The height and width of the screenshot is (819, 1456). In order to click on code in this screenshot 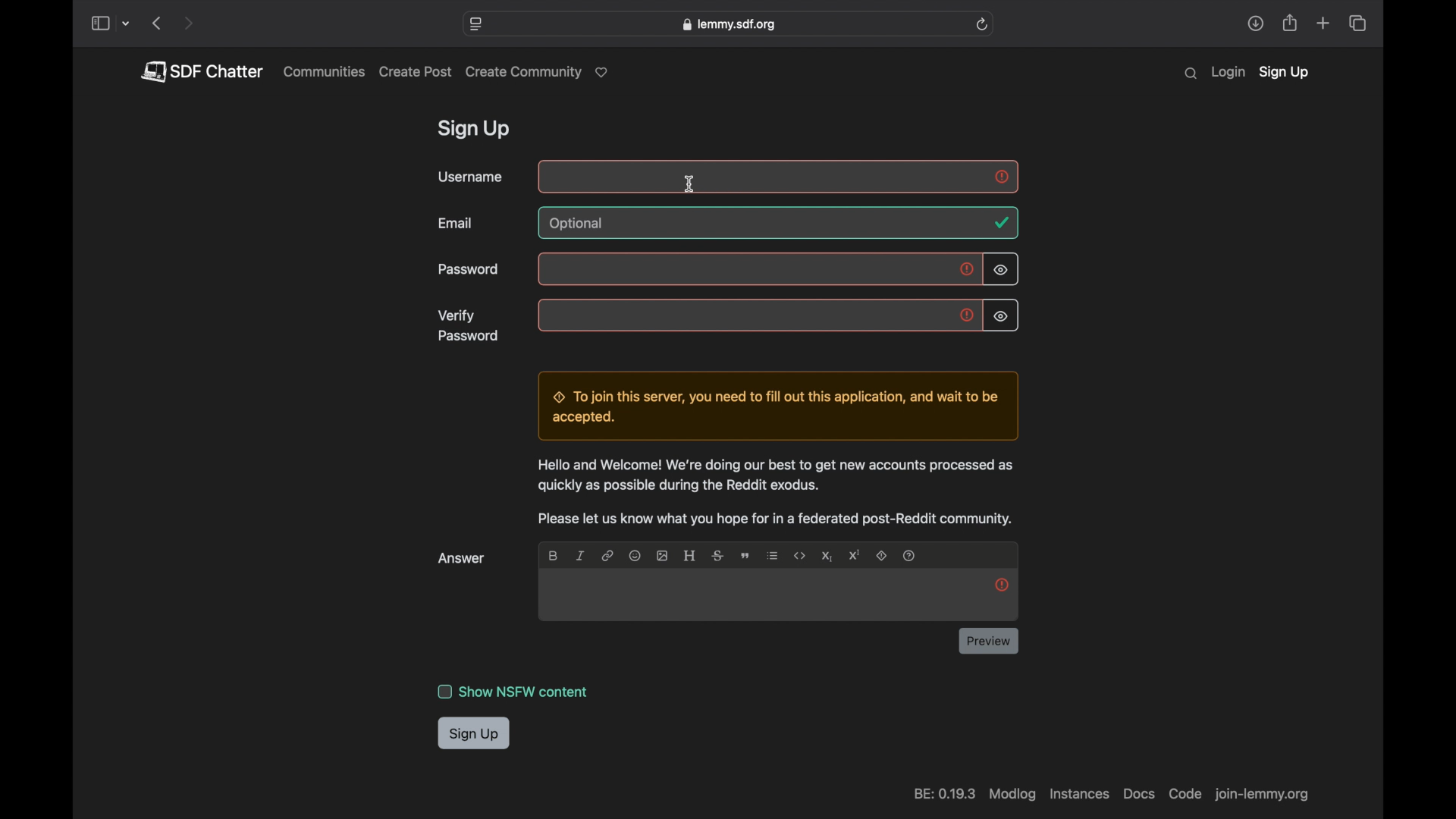, I will do `click(800, 556)`.